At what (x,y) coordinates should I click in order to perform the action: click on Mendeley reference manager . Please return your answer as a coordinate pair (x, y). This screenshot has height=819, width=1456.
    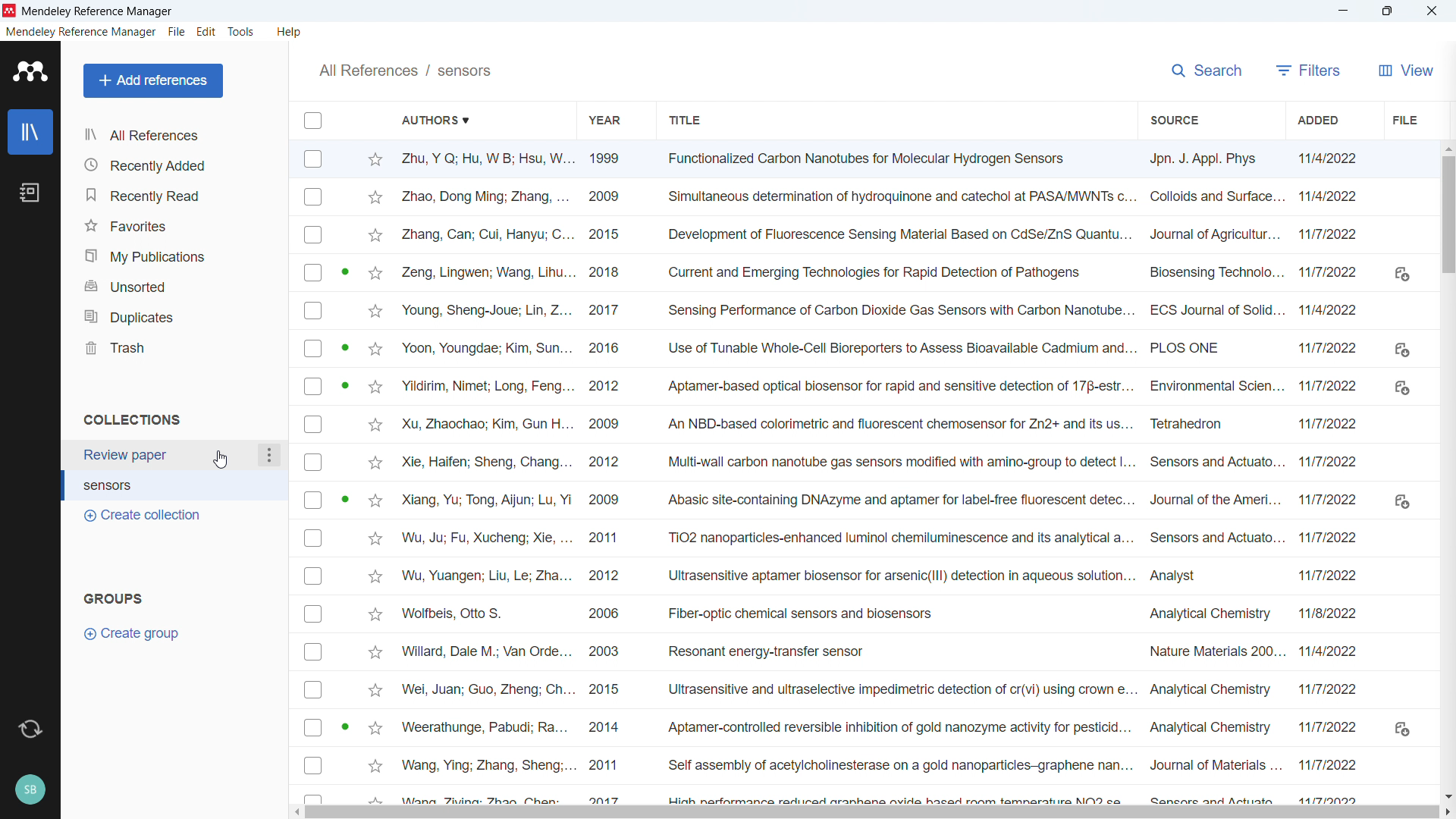
    Looking at the image, I should click on (81, 32).